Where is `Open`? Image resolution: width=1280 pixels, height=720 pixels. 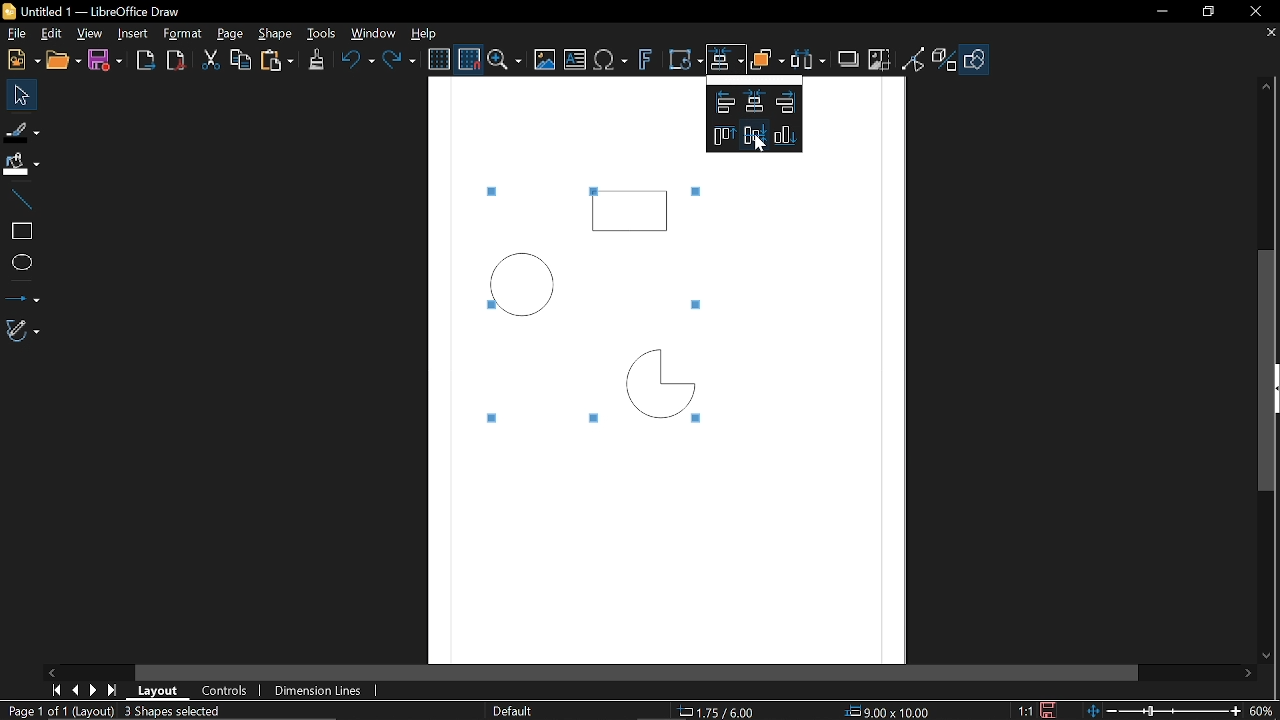 Open is located at coordinates (63, 60).